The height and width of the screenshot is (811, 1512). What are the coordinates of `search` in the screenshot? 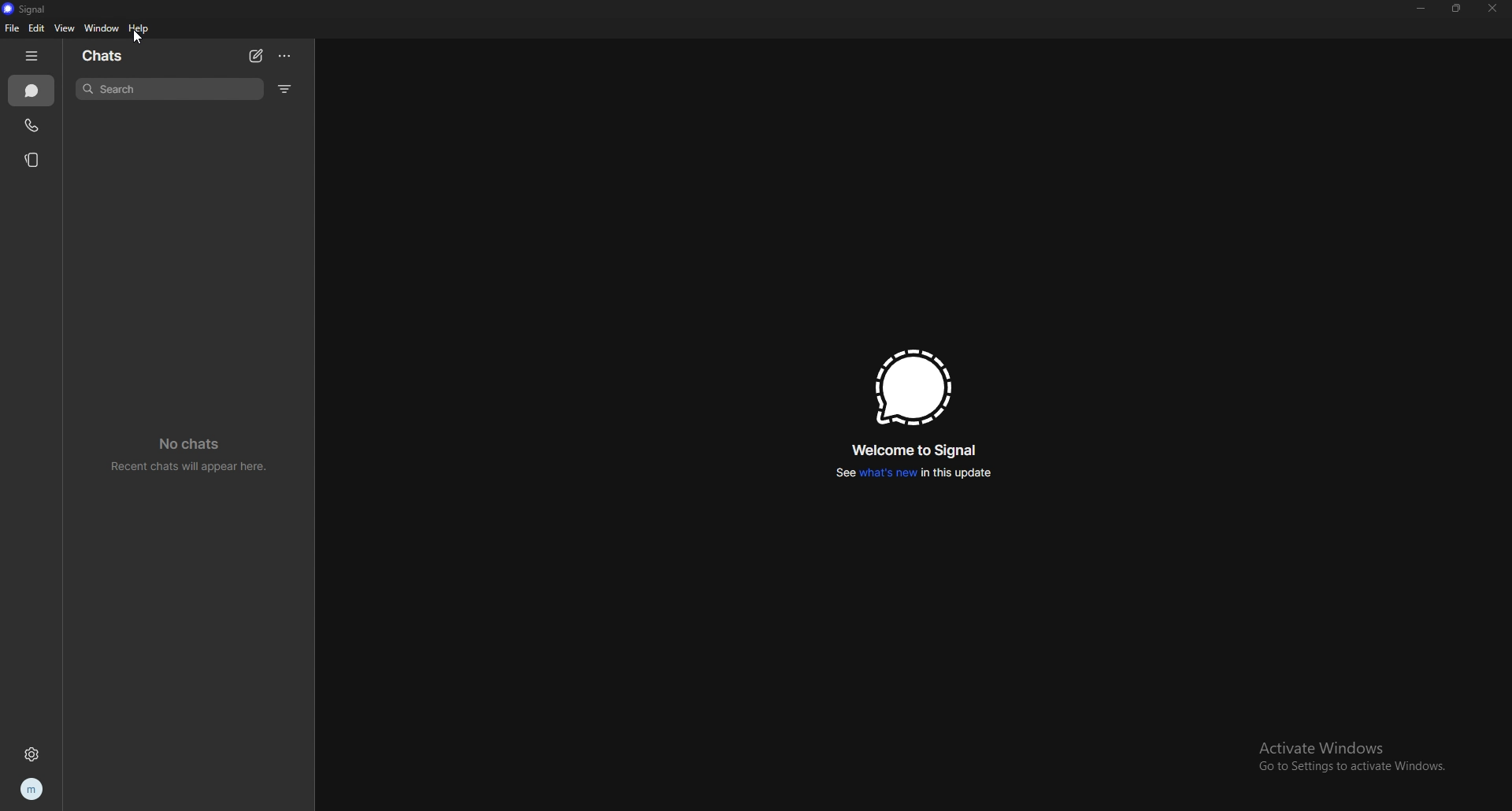 It's located at (169, 91).